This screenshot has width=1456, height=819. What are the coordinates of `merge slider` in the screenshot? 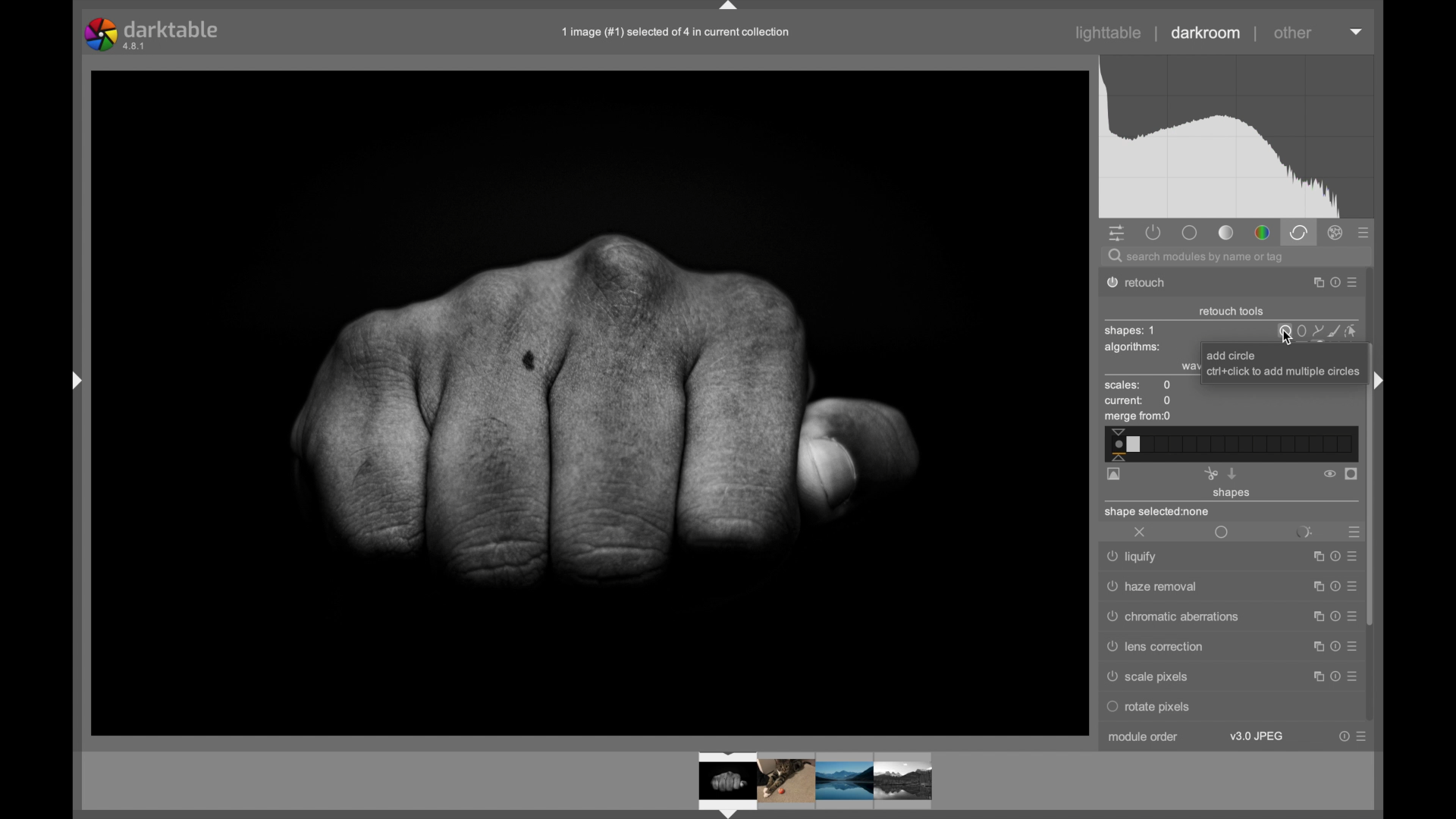 It's located at (1229, 444).